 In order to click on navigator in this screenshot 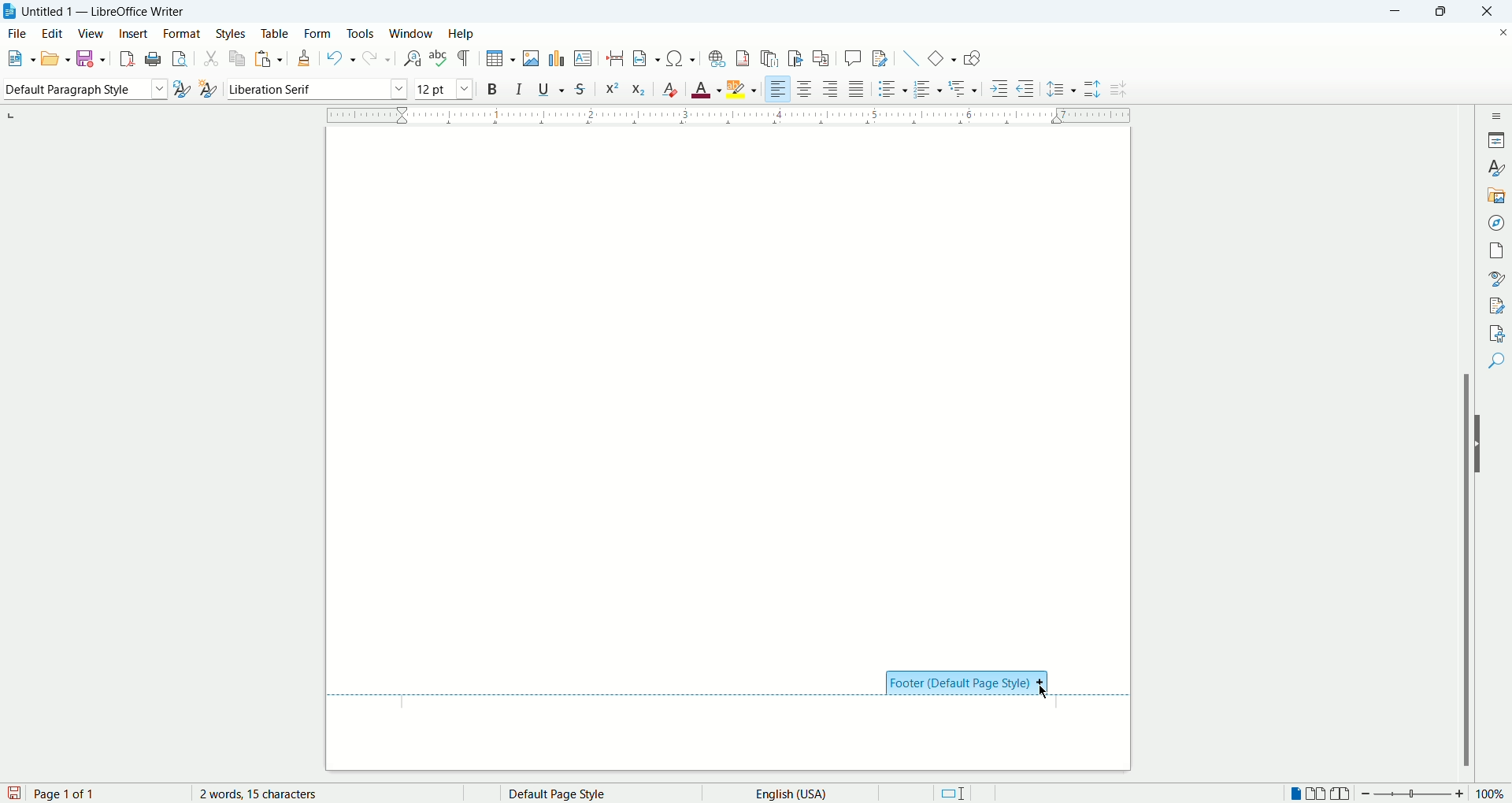, I will do `click(1499, 221)`.